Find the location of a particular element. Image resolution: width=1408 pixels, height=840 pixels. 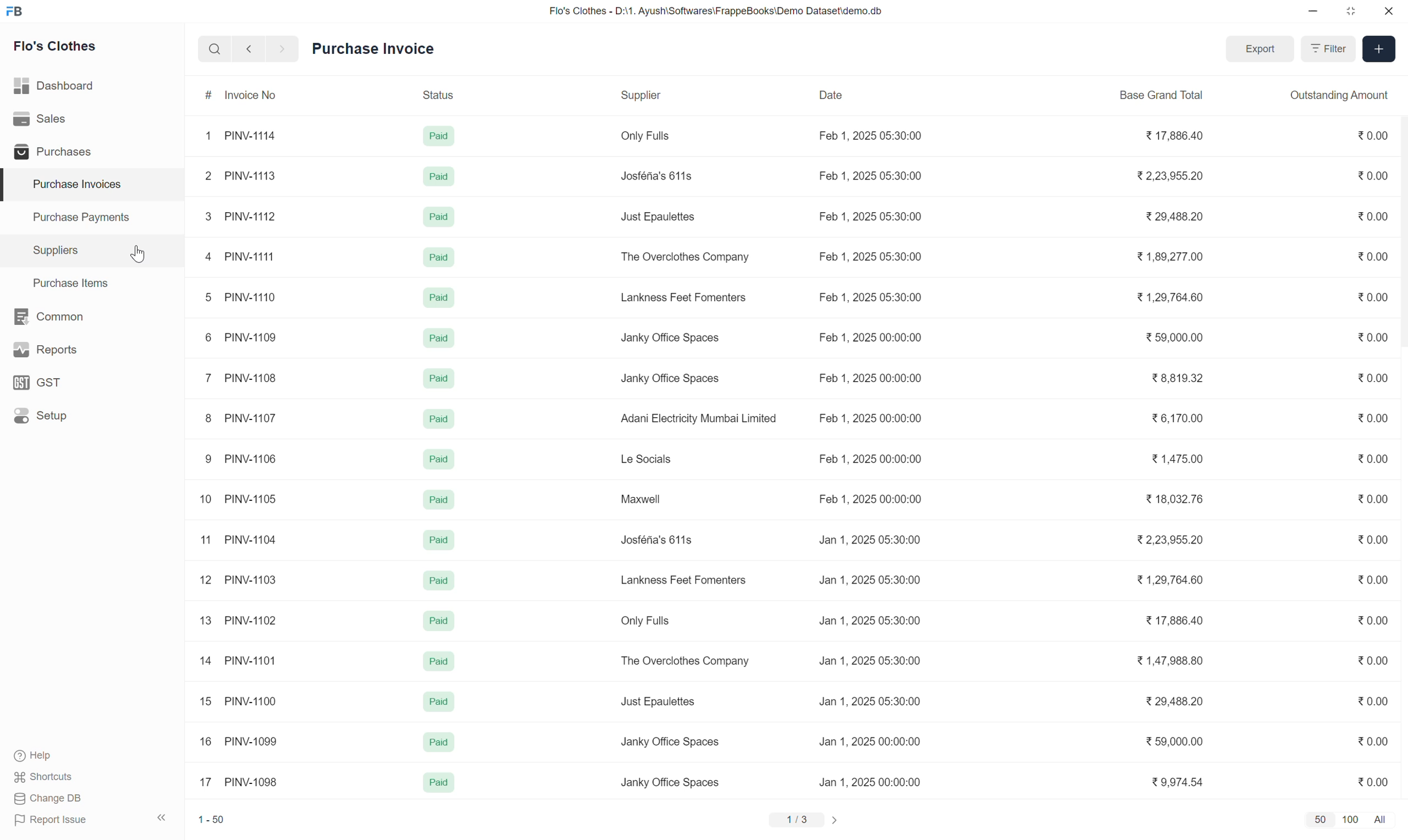

0.00 is located at coordinates (1374, 138).